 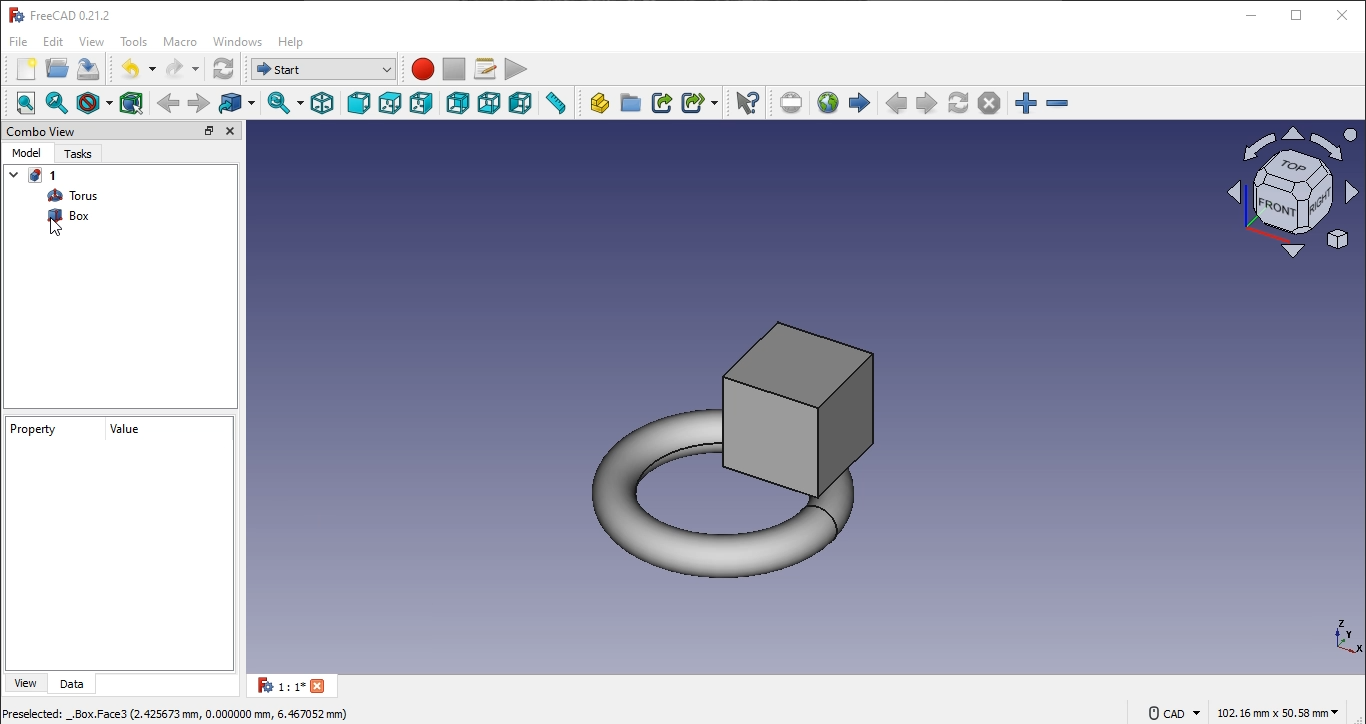 I want to click on close, so click(x=230, y=131).